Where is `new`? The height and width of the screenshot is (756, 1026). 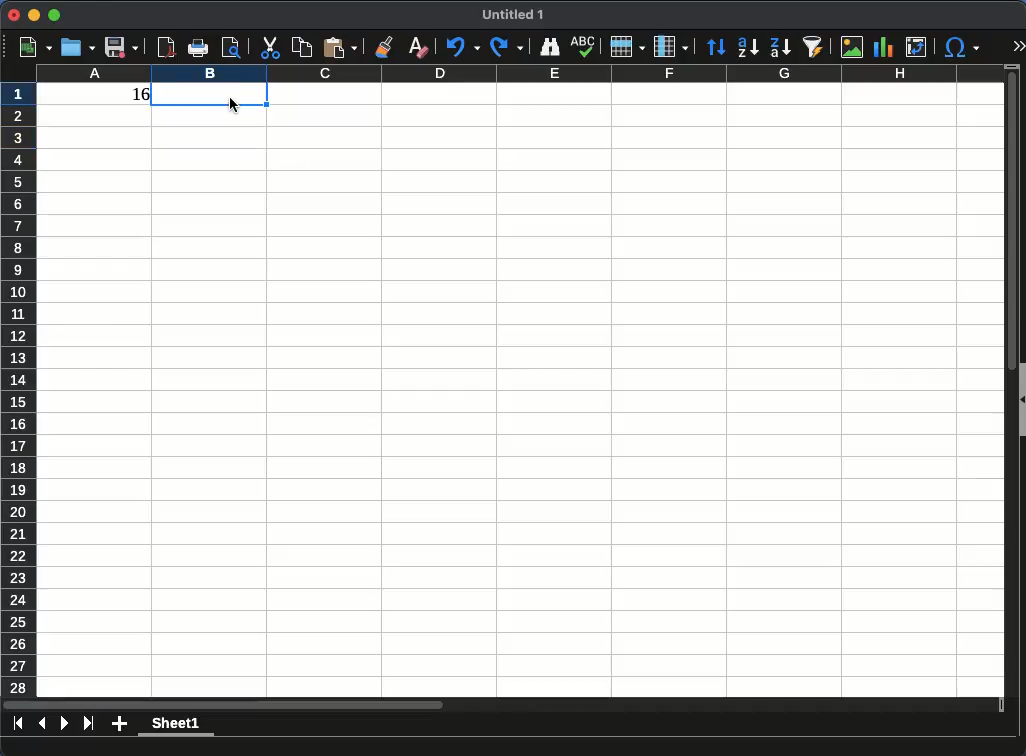
new is located at coordinates (29, 47).